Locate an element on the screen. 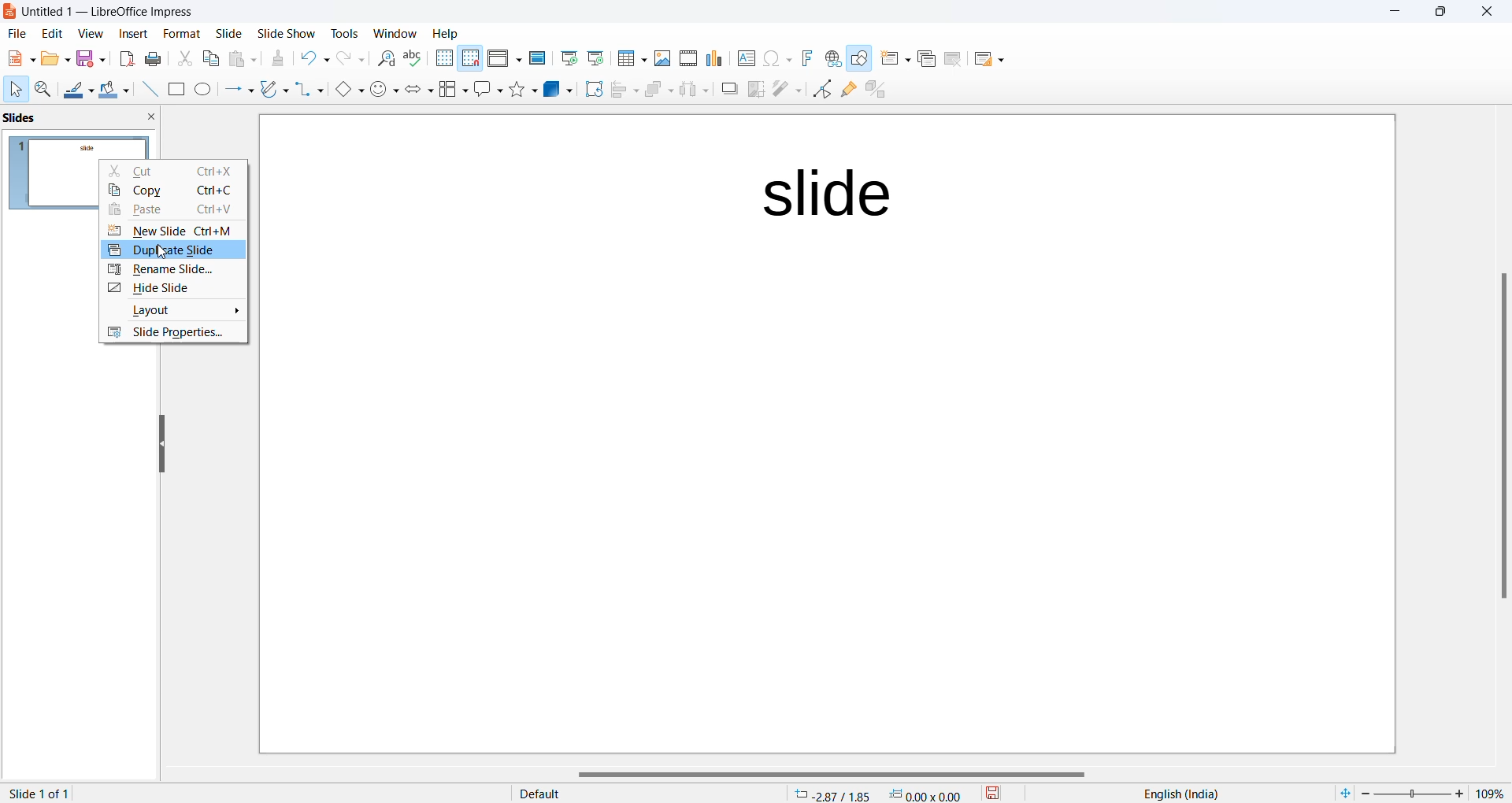 This screenshot has width=1512, height=803. cursor is located at coordinates (154, 253).